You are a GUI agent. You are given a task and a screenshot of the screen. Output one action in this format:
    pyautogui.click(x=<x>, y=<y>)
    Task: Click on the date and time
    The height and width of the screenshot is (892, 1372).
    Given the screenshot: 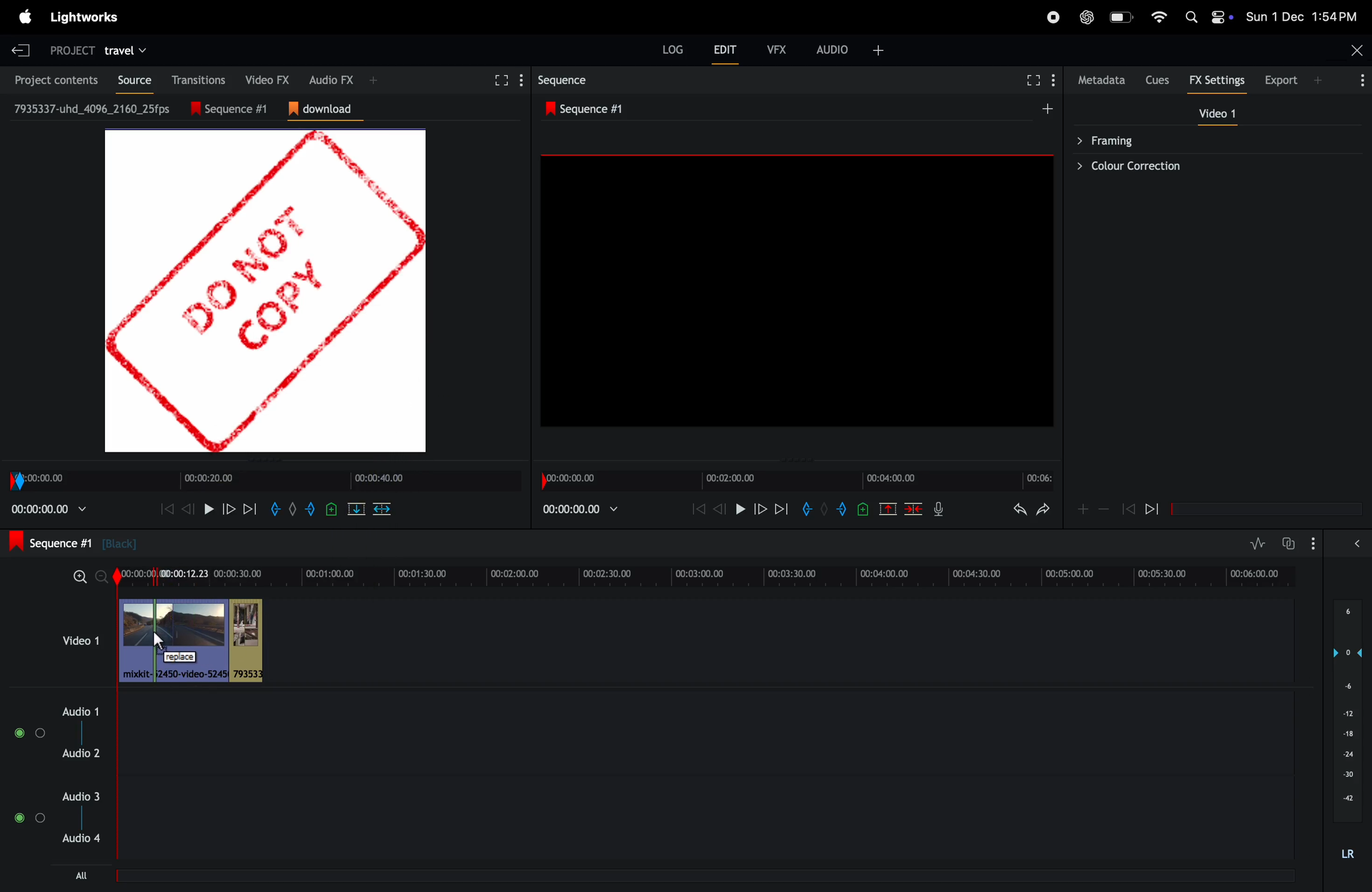 What is the action you would take?
    pyautogui.click(x=1301, y=16)
    